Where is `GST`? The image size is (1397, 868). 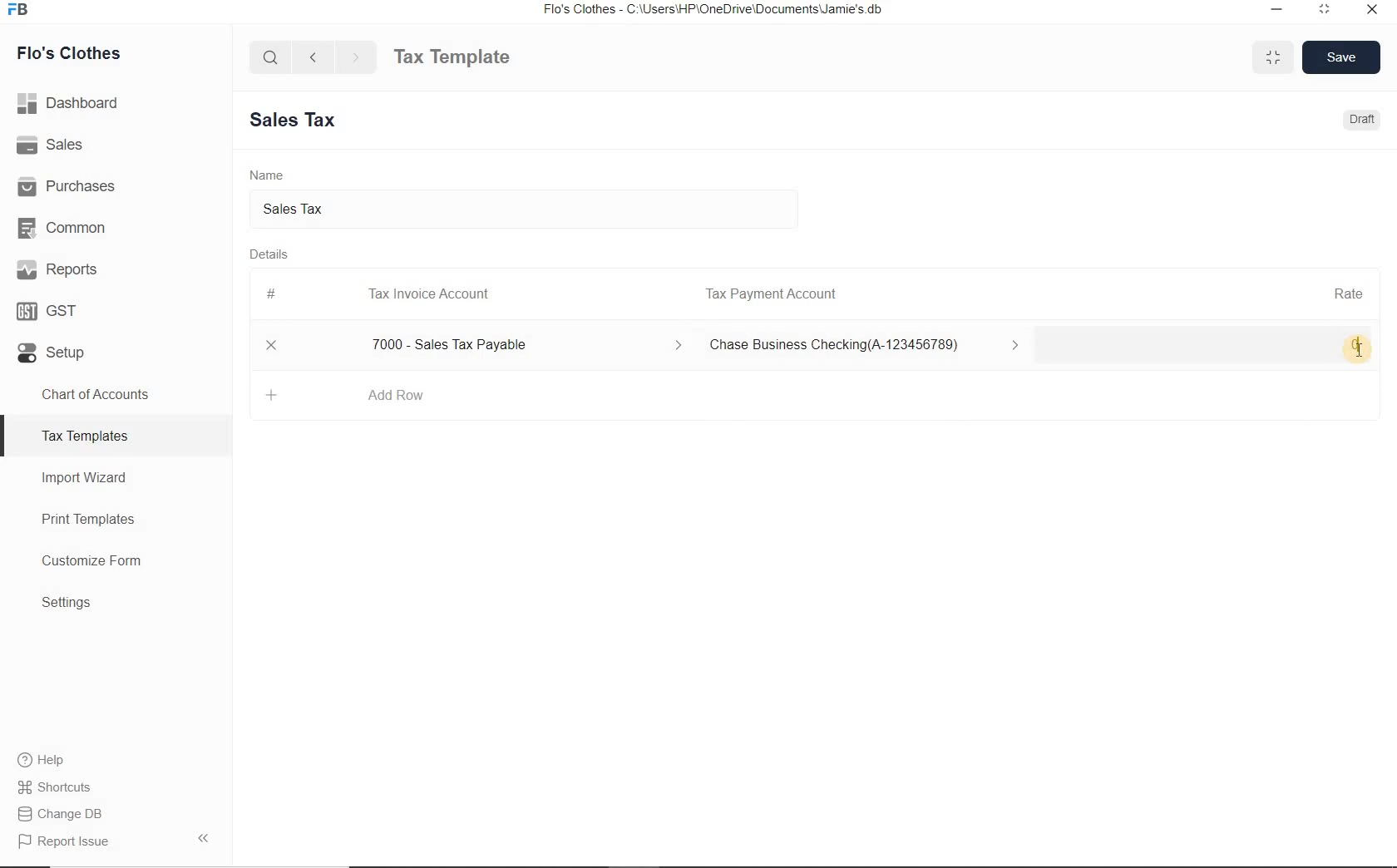
GST is located at coordinates (116, 308).